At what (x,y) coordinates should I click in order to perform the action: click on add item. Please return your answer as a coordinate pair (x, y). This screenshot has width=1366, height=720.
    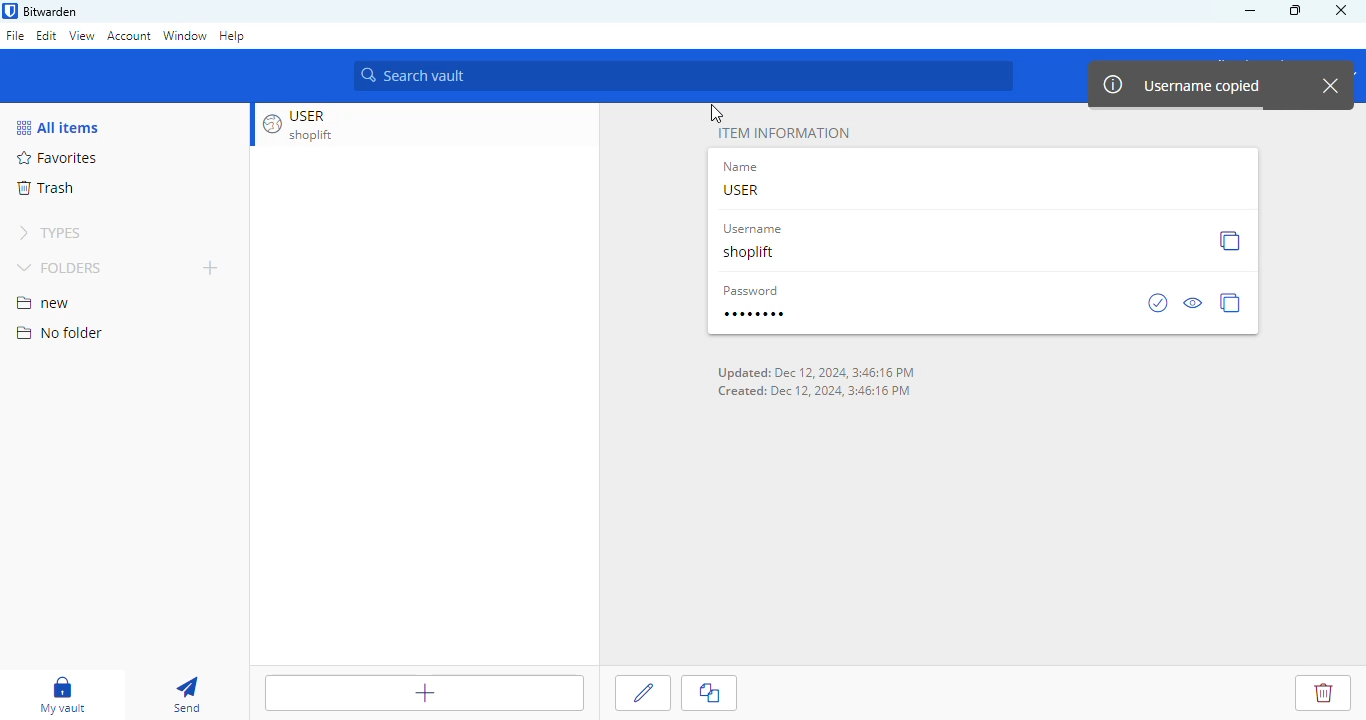
    Looking at the image, I should click on (423, 692).